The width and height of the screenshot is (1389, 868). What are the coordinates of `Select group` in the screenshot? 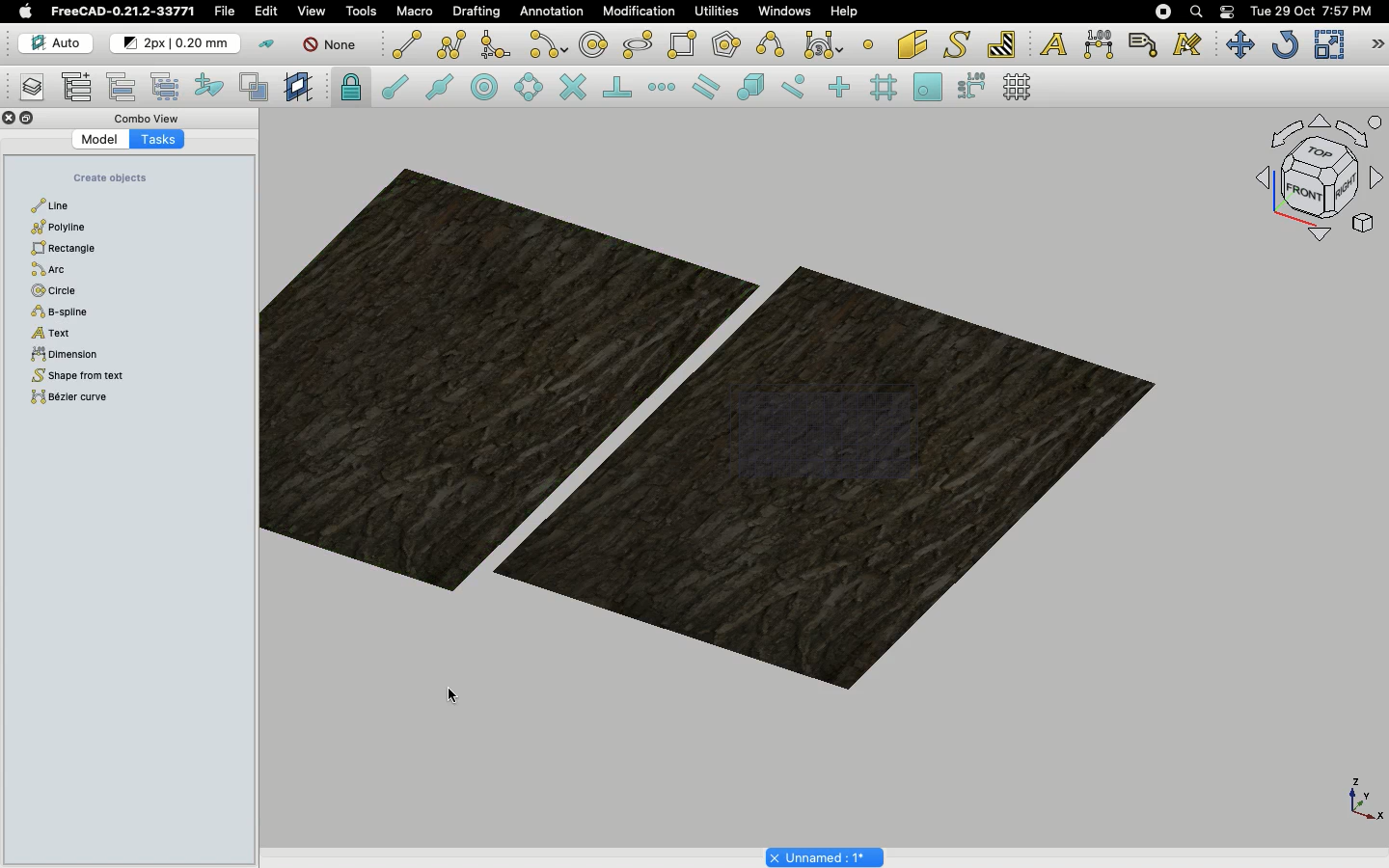 It's located at (167, 85).